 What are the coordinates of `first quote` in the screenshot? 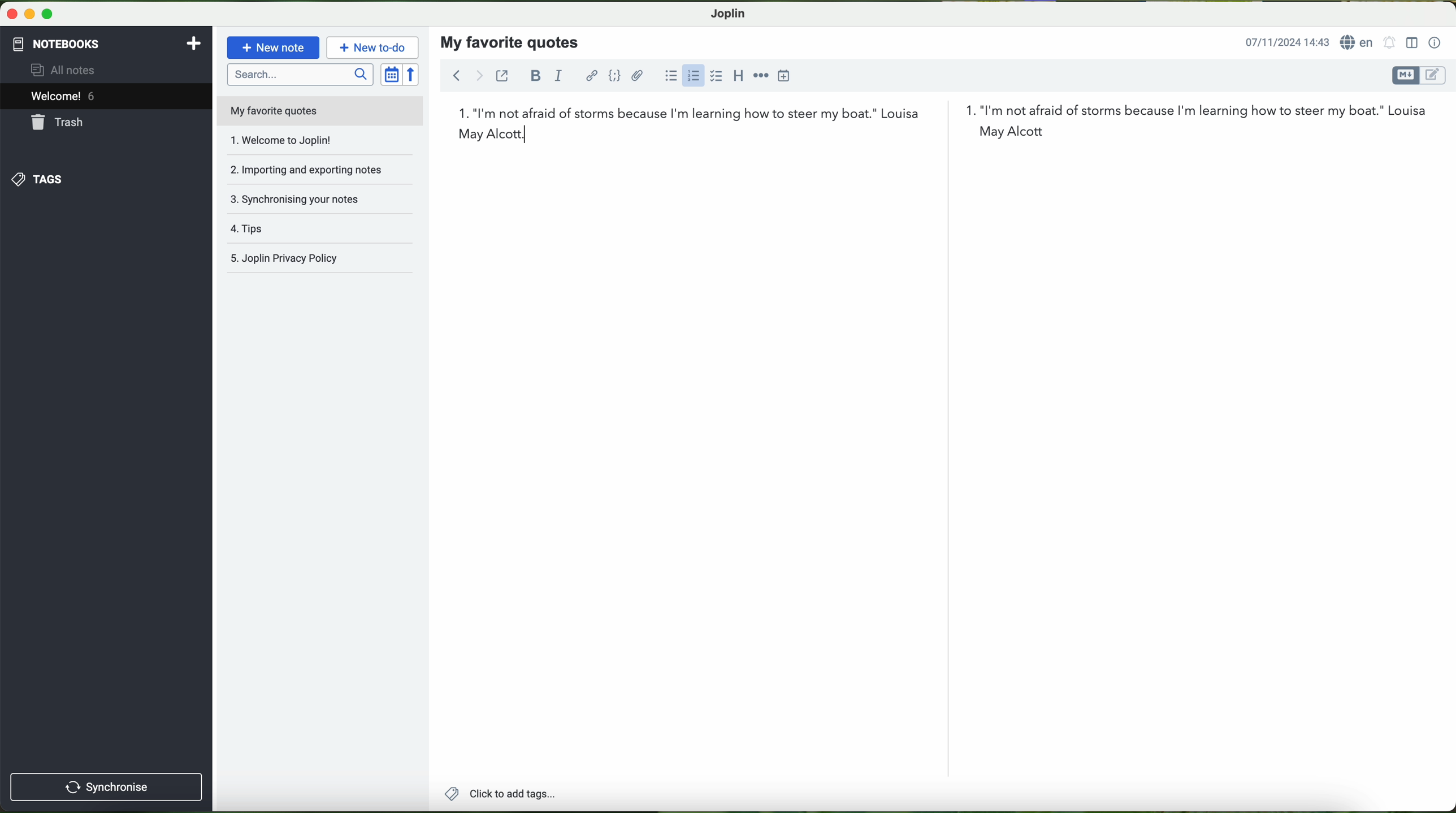 It's located at (942, 126).